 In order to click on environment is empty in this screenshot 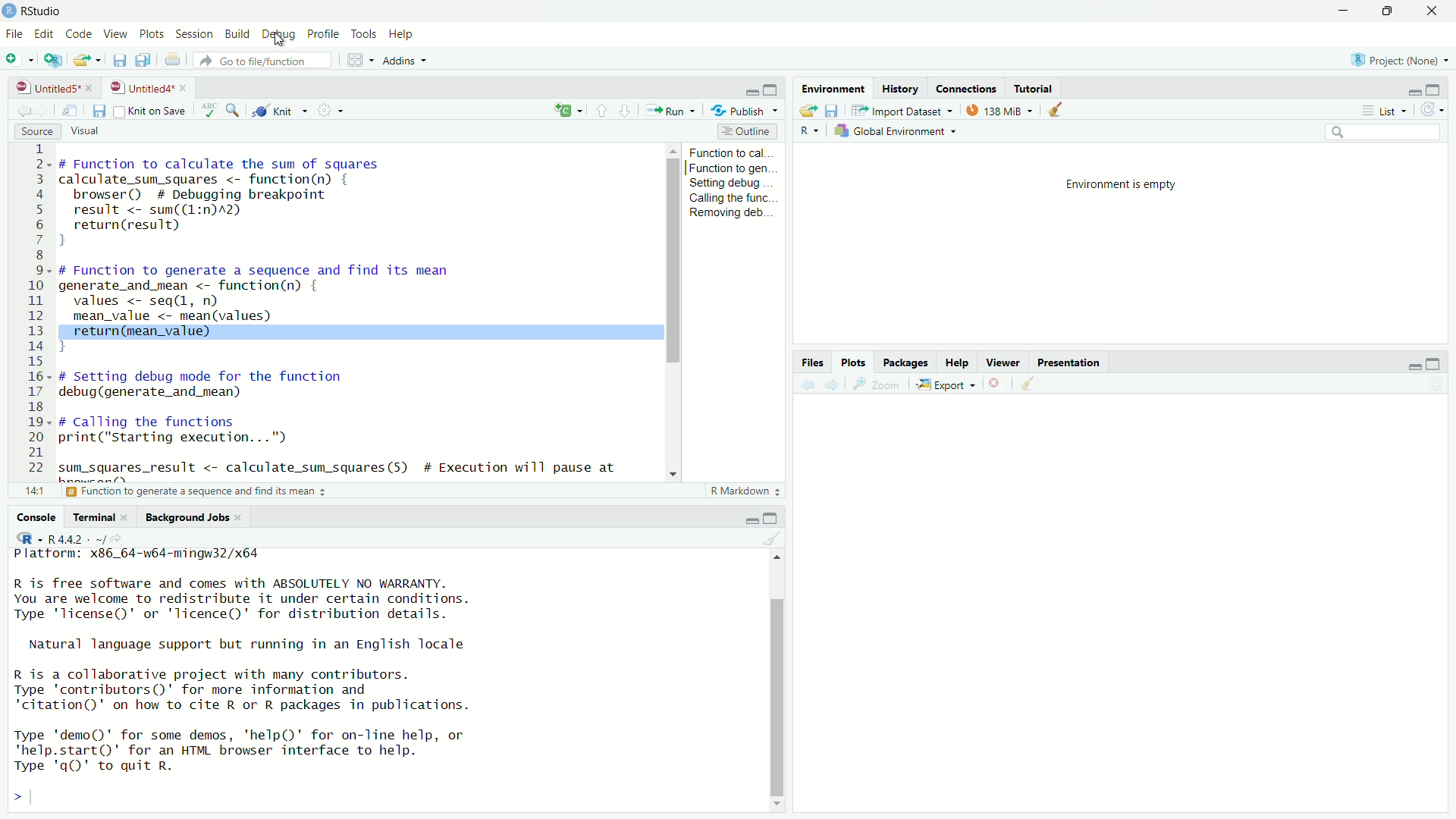, I will do `click(1135, 187)`.